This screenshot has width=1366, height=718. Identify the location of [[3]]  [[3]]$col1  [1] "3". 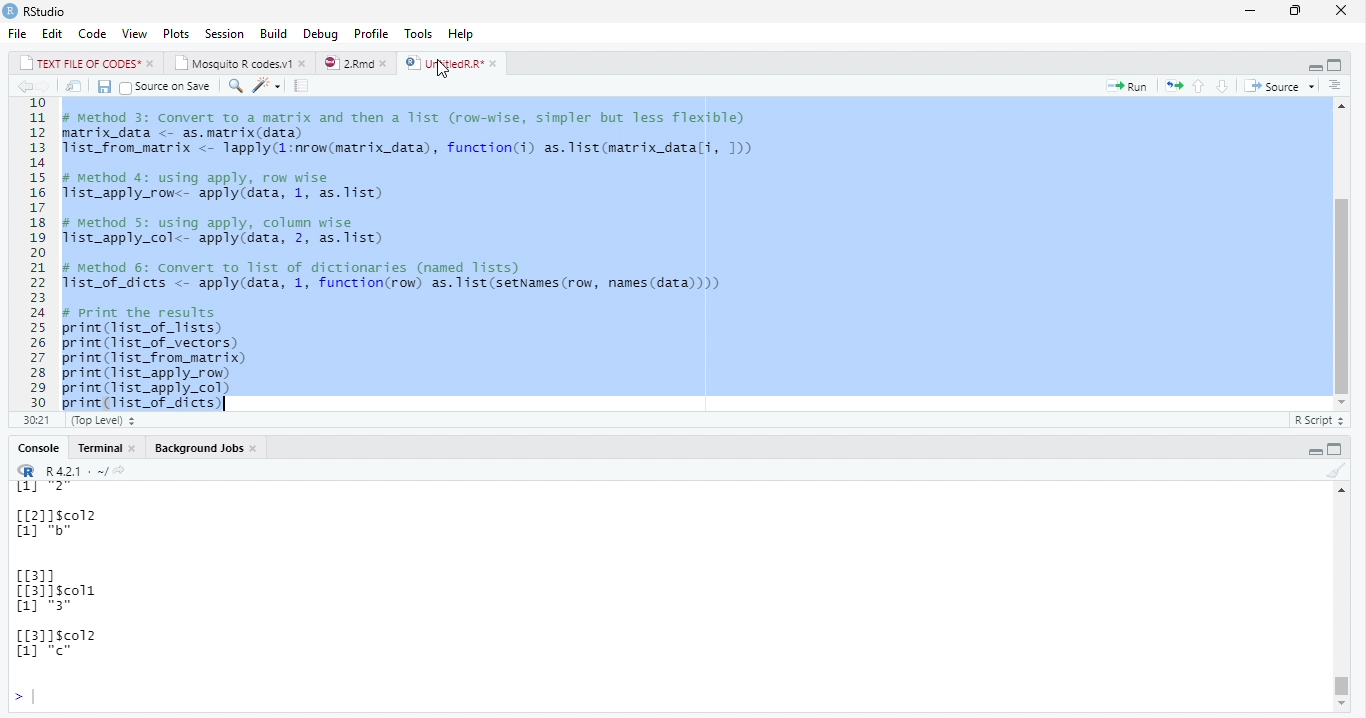
(55, 594).